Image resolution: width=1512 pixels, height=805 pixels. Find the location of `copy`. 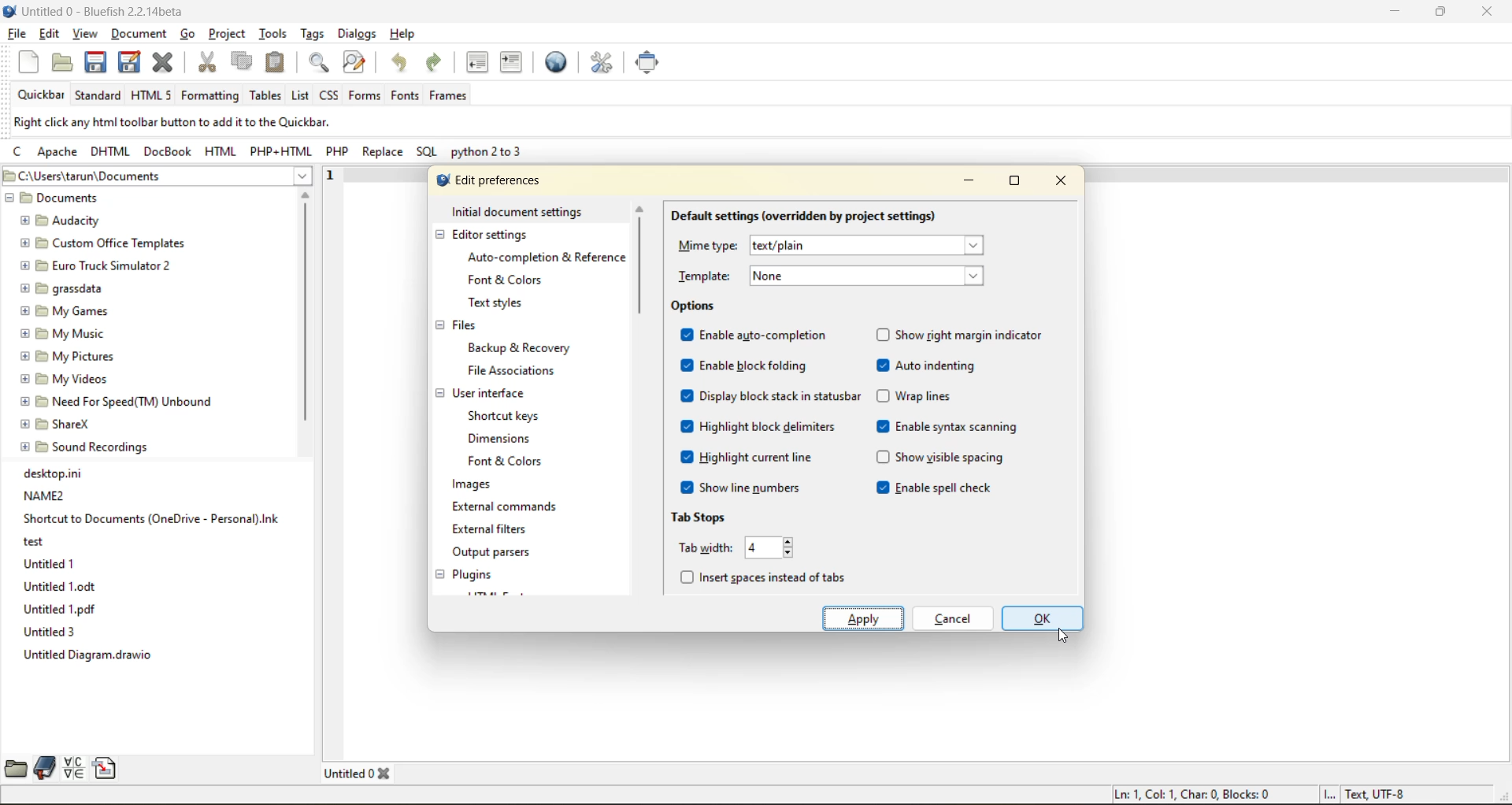

copy is located at coordinates (242, 61).